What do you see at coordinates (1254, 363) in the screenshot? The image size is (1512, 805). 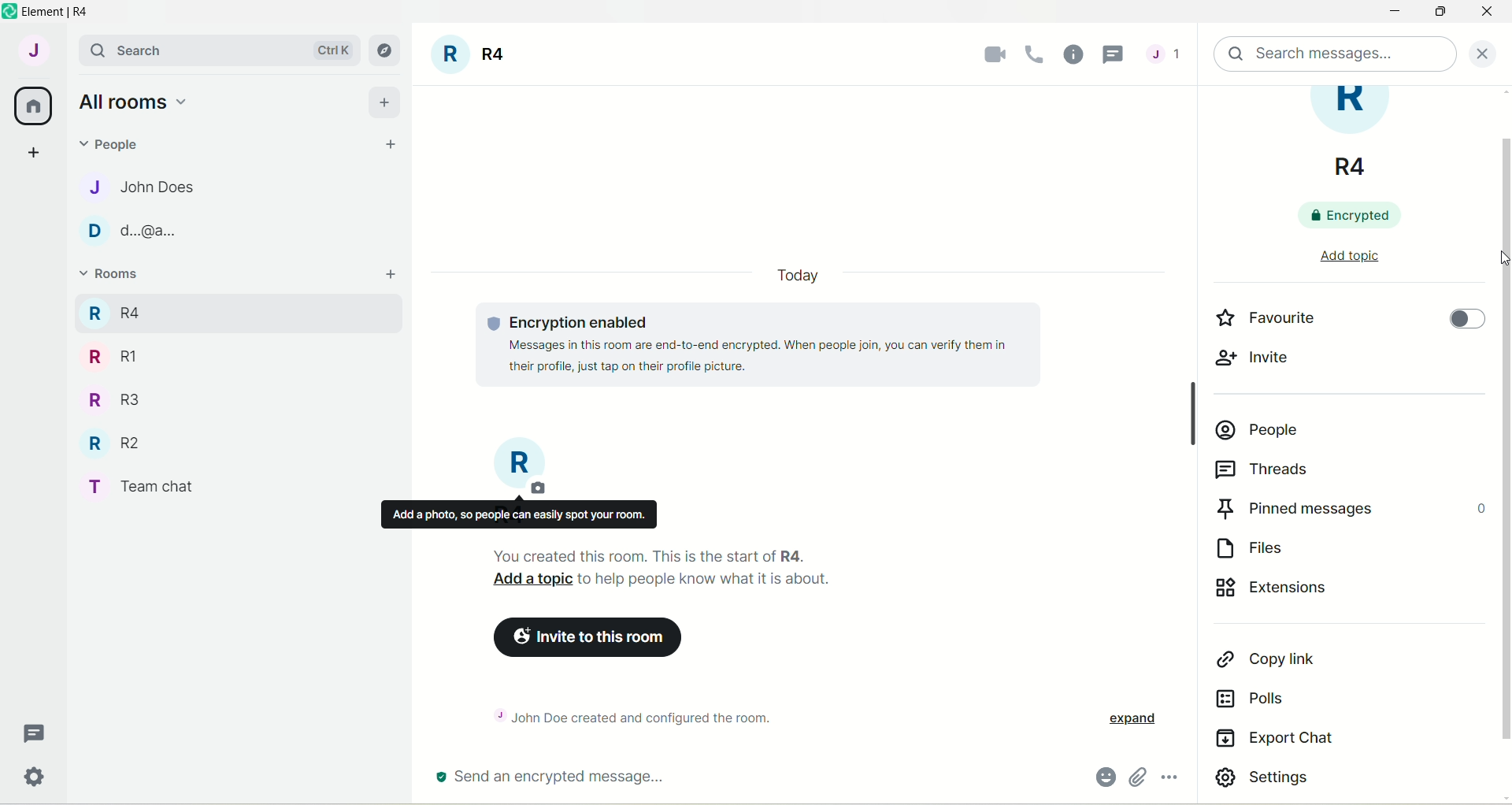 I see `invite` at bounding box center [1254, 363].